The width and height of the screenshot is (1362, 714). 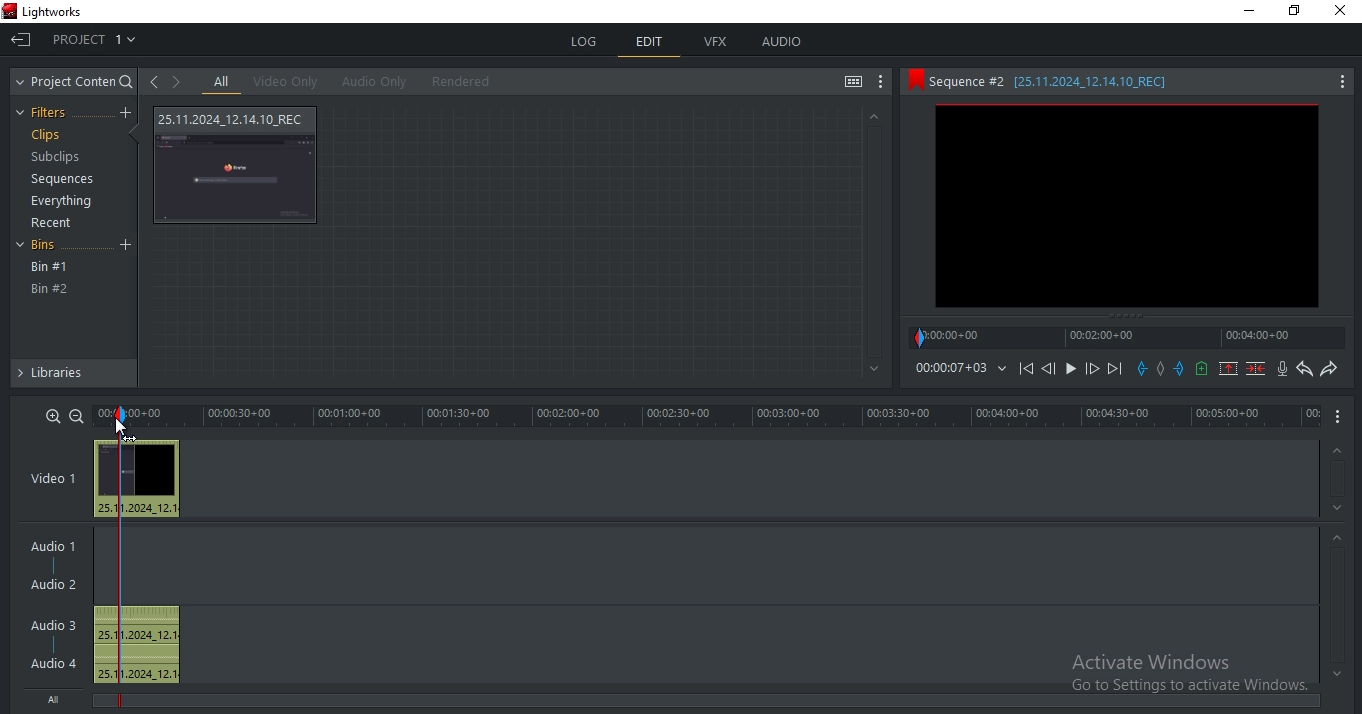 What do you see at coordinates (1299, 14) in the screenshot?
I see `Maximize` at bounding box center [1299, 14].